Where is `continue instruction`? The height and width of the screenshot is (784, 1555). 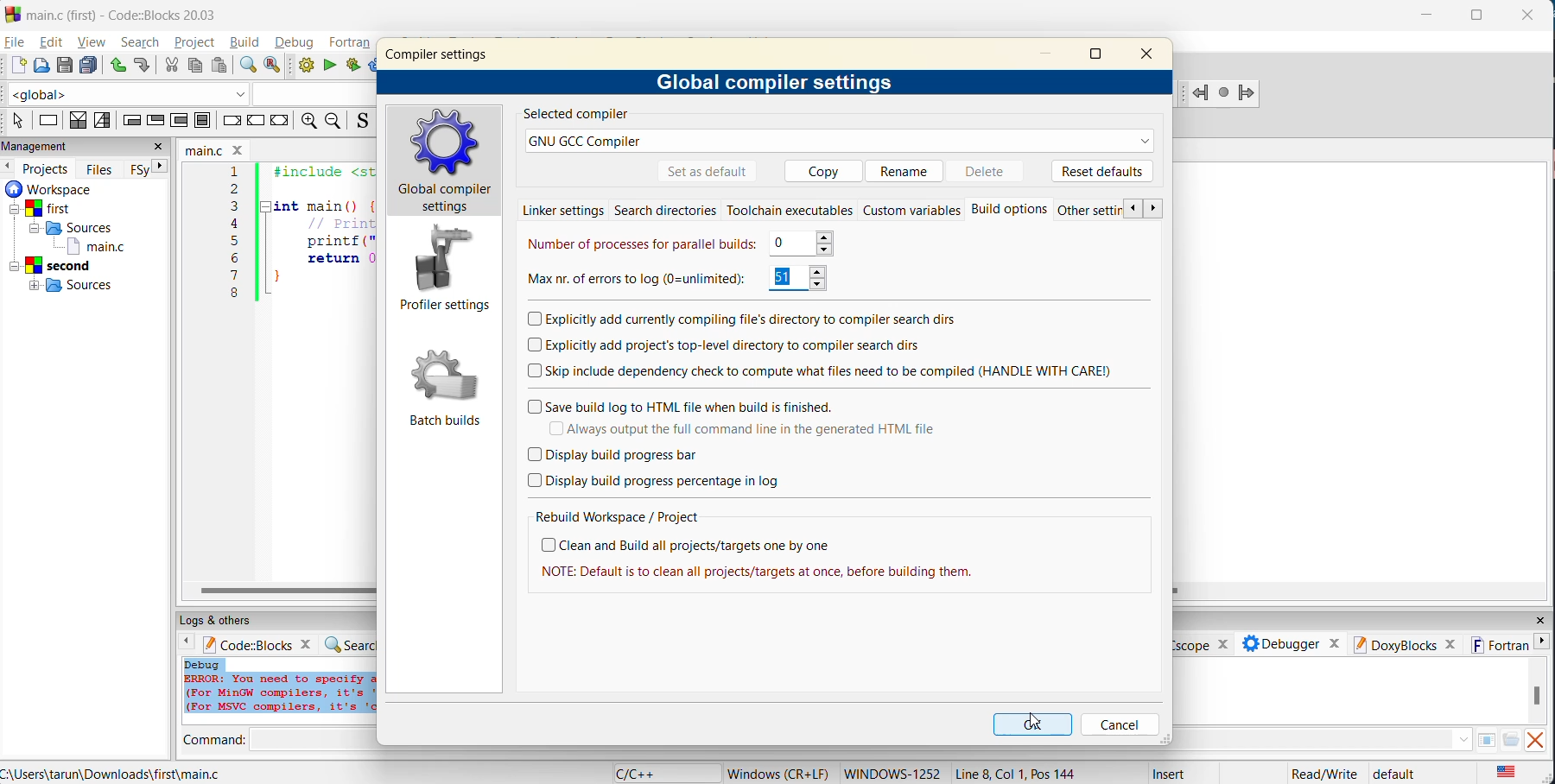
continue instruction is located at coordinates (254, 121).